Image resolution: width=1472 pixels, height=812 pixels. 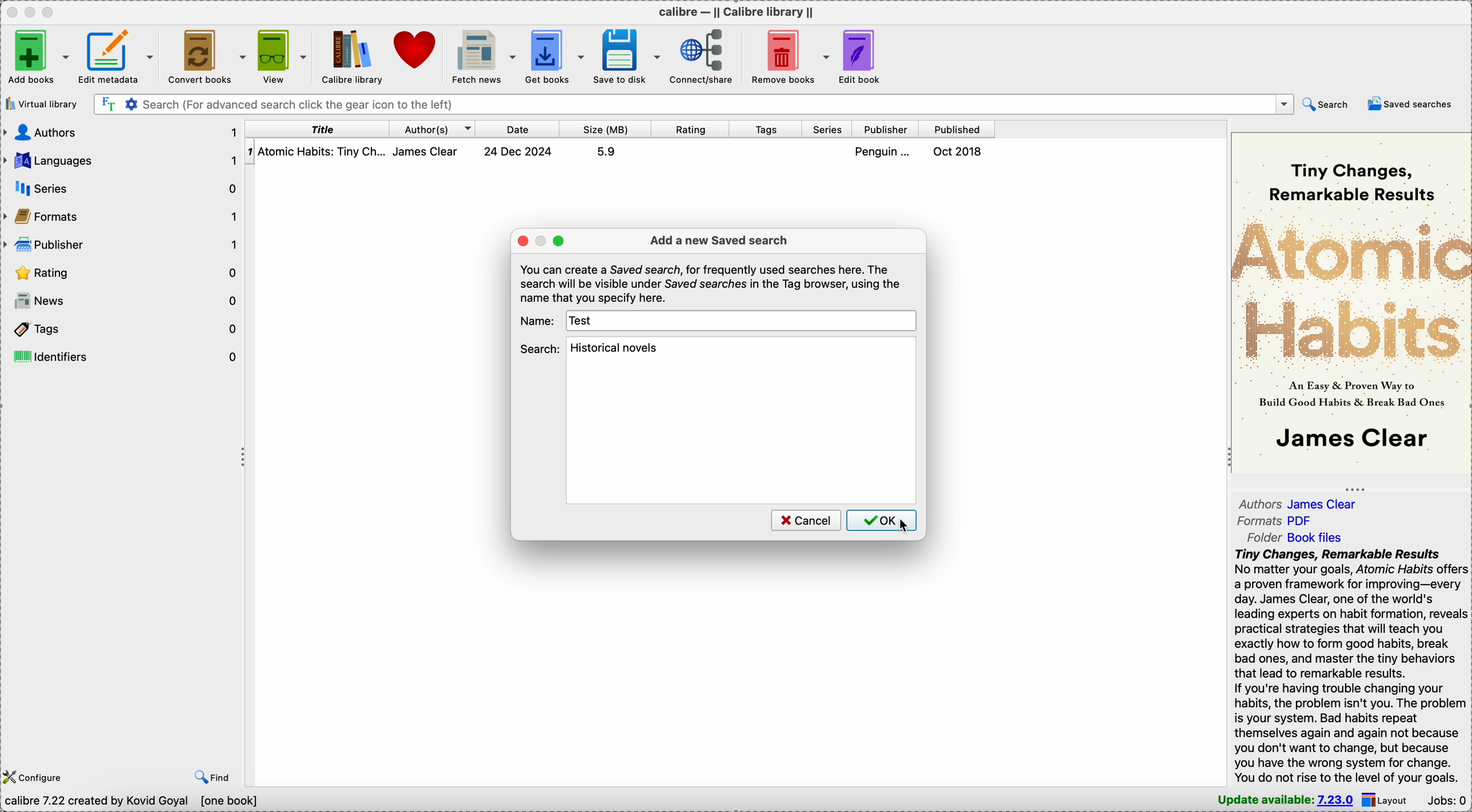 I want to click on languages, so click(x=122, y=161).